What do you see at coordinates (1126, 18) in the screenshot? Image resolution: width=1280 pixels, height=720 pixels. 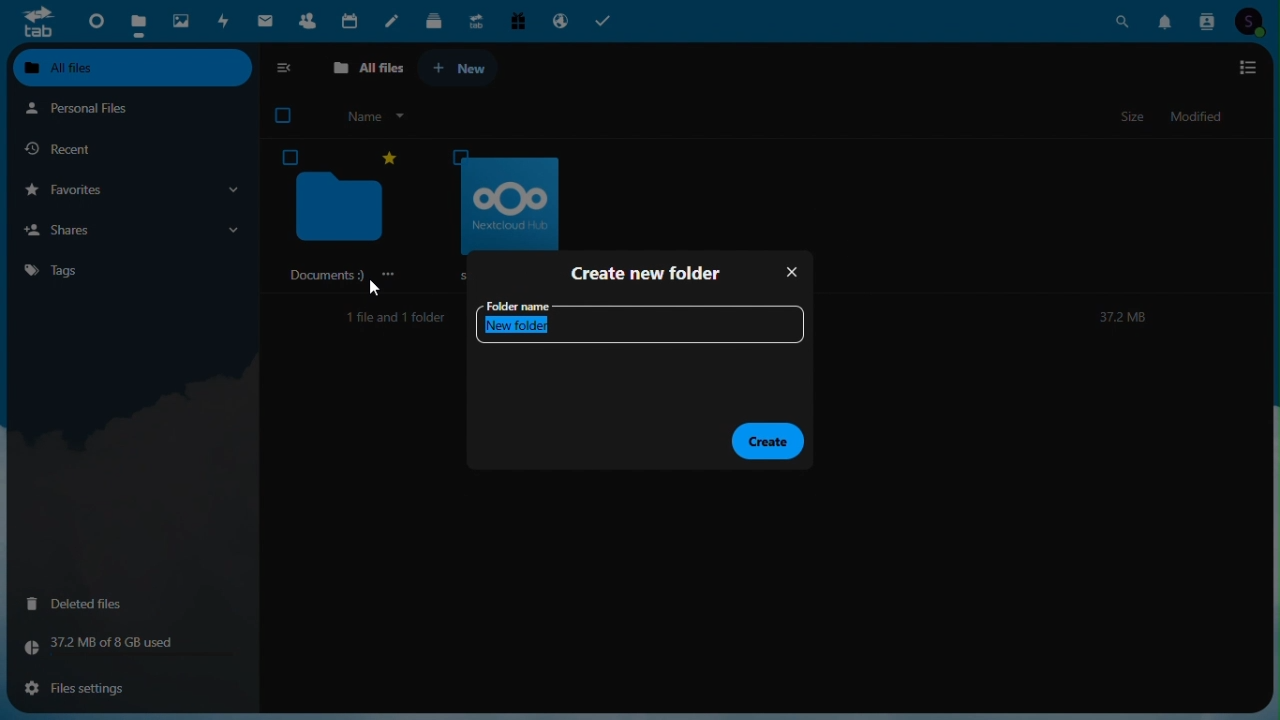 I see `Search` at bounding box center [1126, 18].